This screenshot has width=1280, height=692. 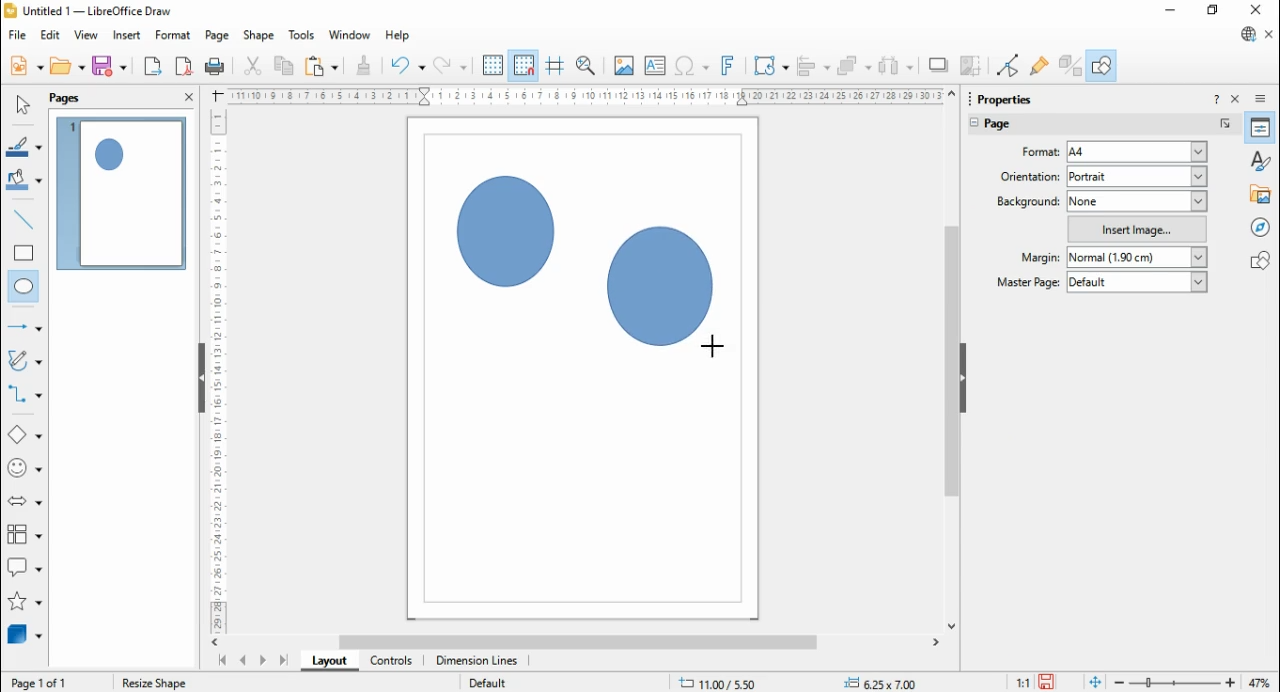 I want to click on crop image, so click(x=973, y=66).